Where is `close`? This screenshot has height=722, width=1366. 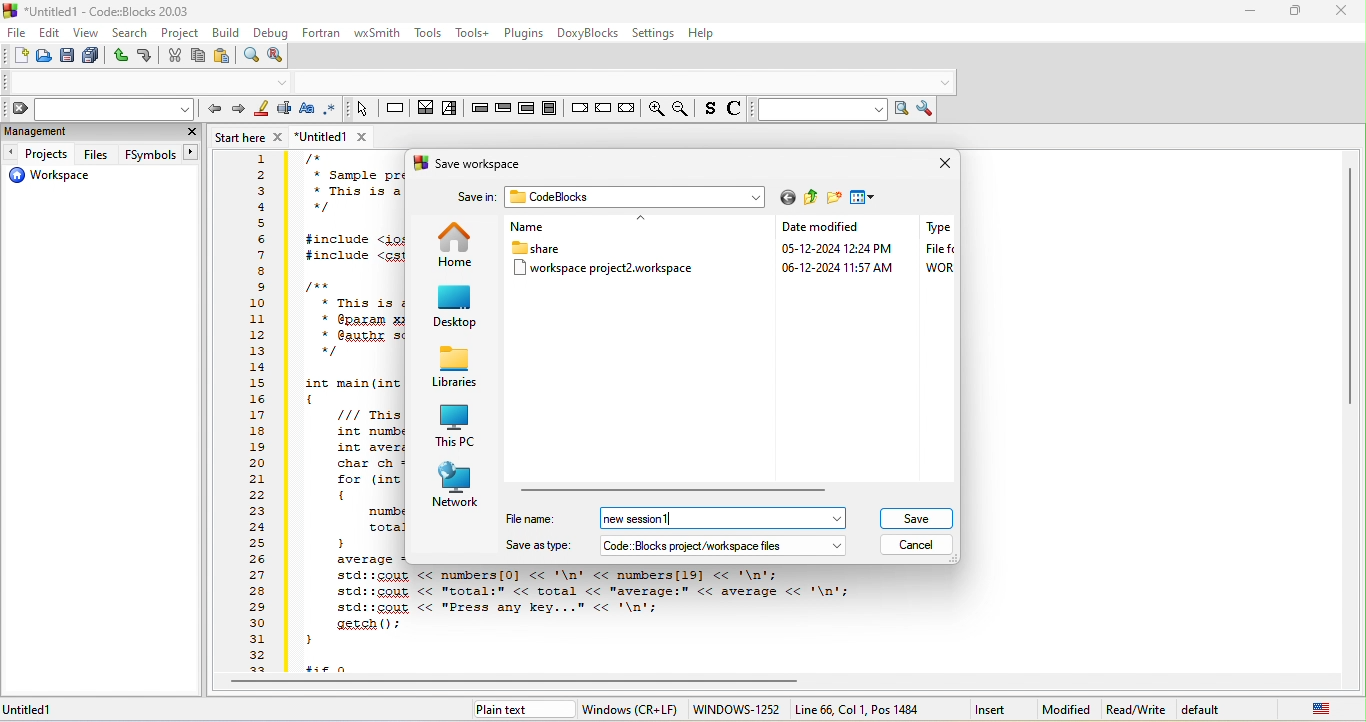 close is located at coordinates (940, 166).